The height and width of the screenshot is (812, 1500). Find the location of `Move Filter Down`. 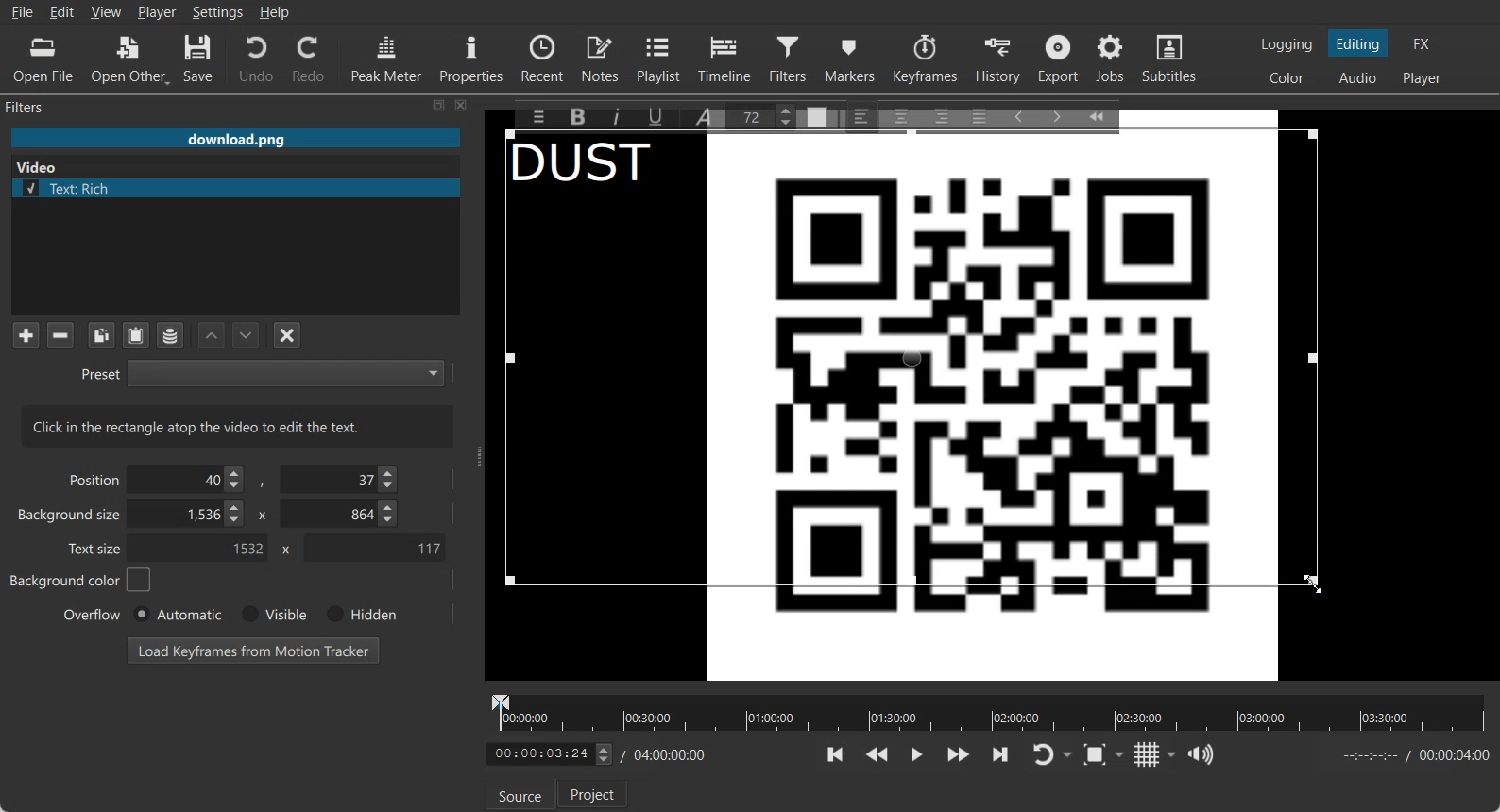

Move Filter Down is located at coordinates (247, 335).